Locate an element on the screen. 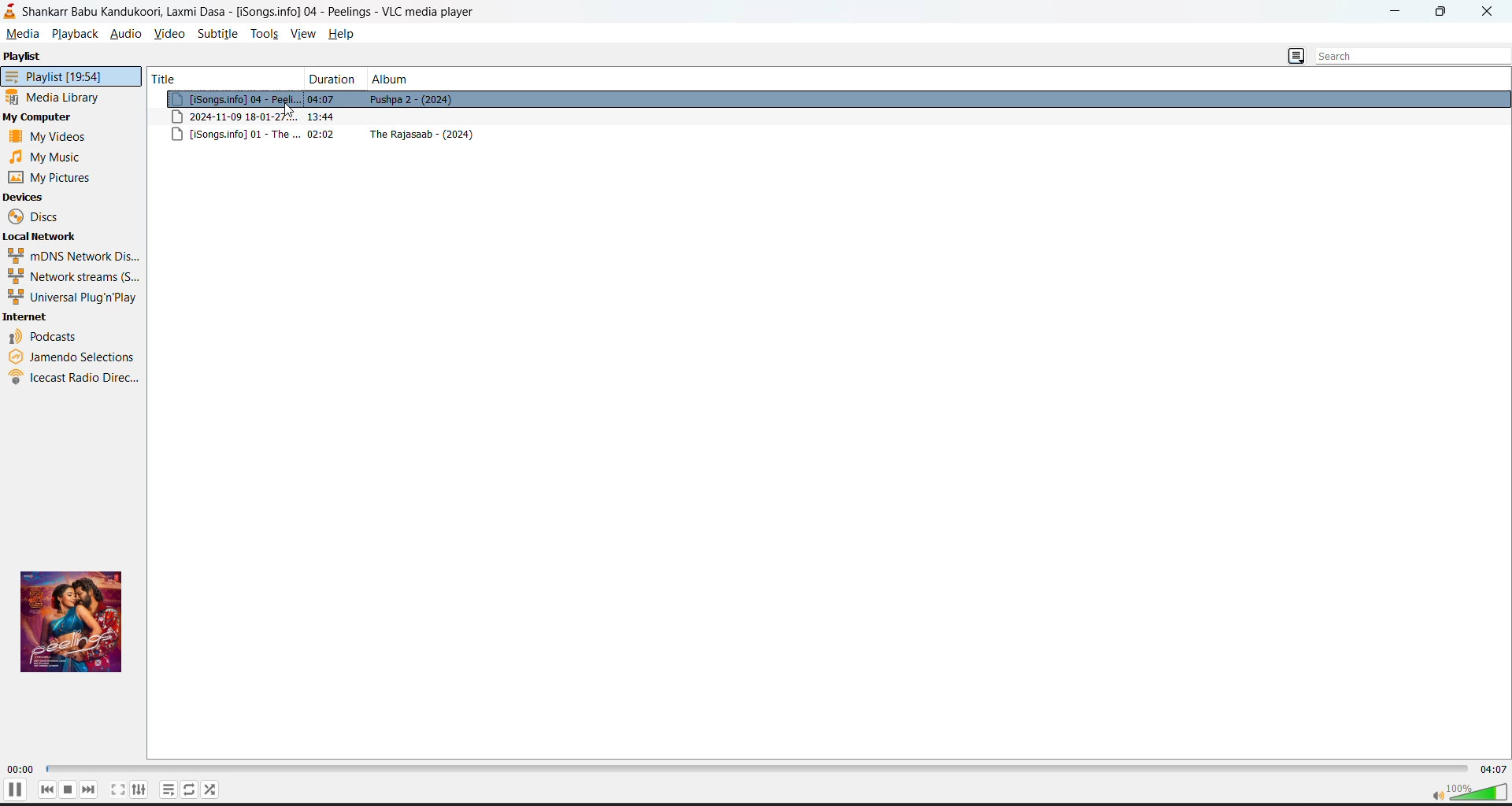 Image resolution: width=1512 pixels, height=806 pixels. view is located at coordinates (307, 35).